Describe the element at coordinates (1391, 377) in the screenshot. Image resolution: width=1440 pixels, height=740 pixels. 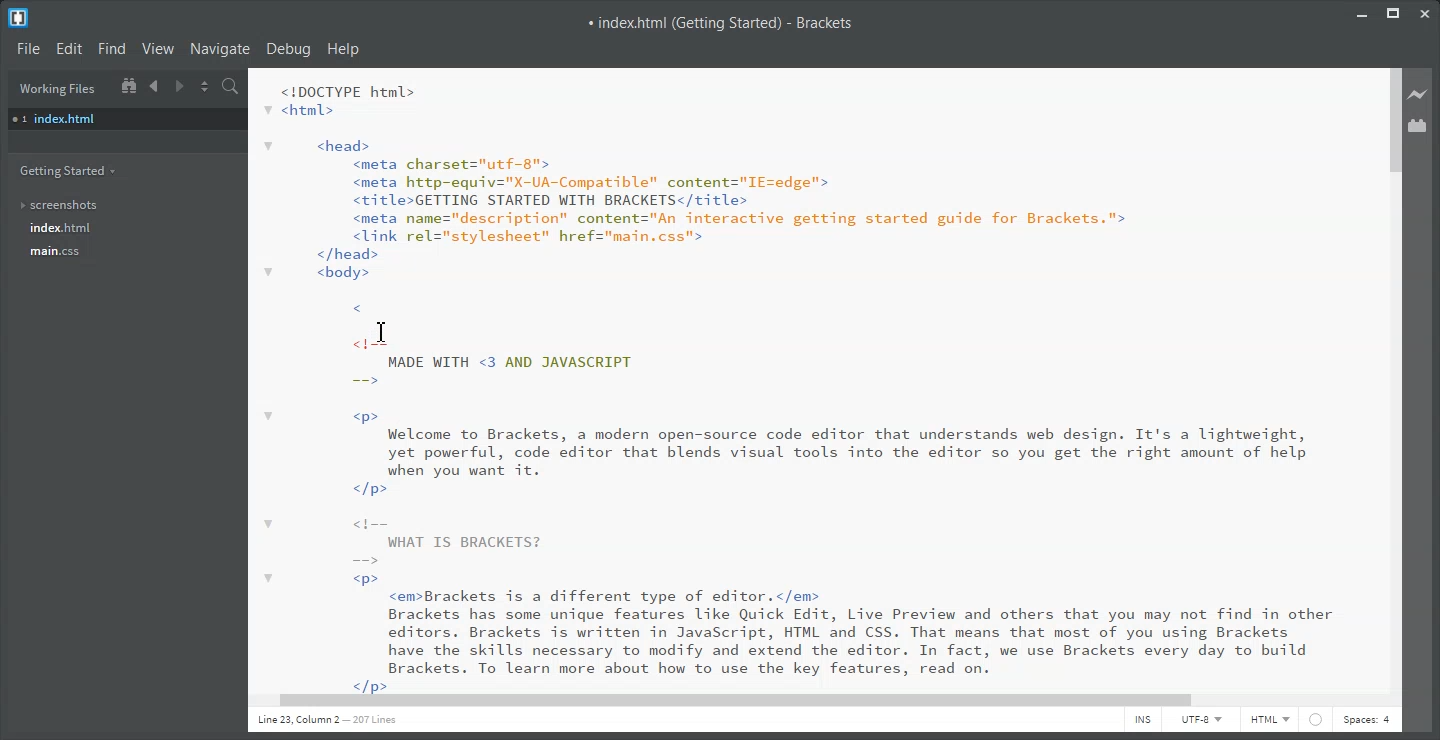
I see `Vertical Scroll bar` at that location.